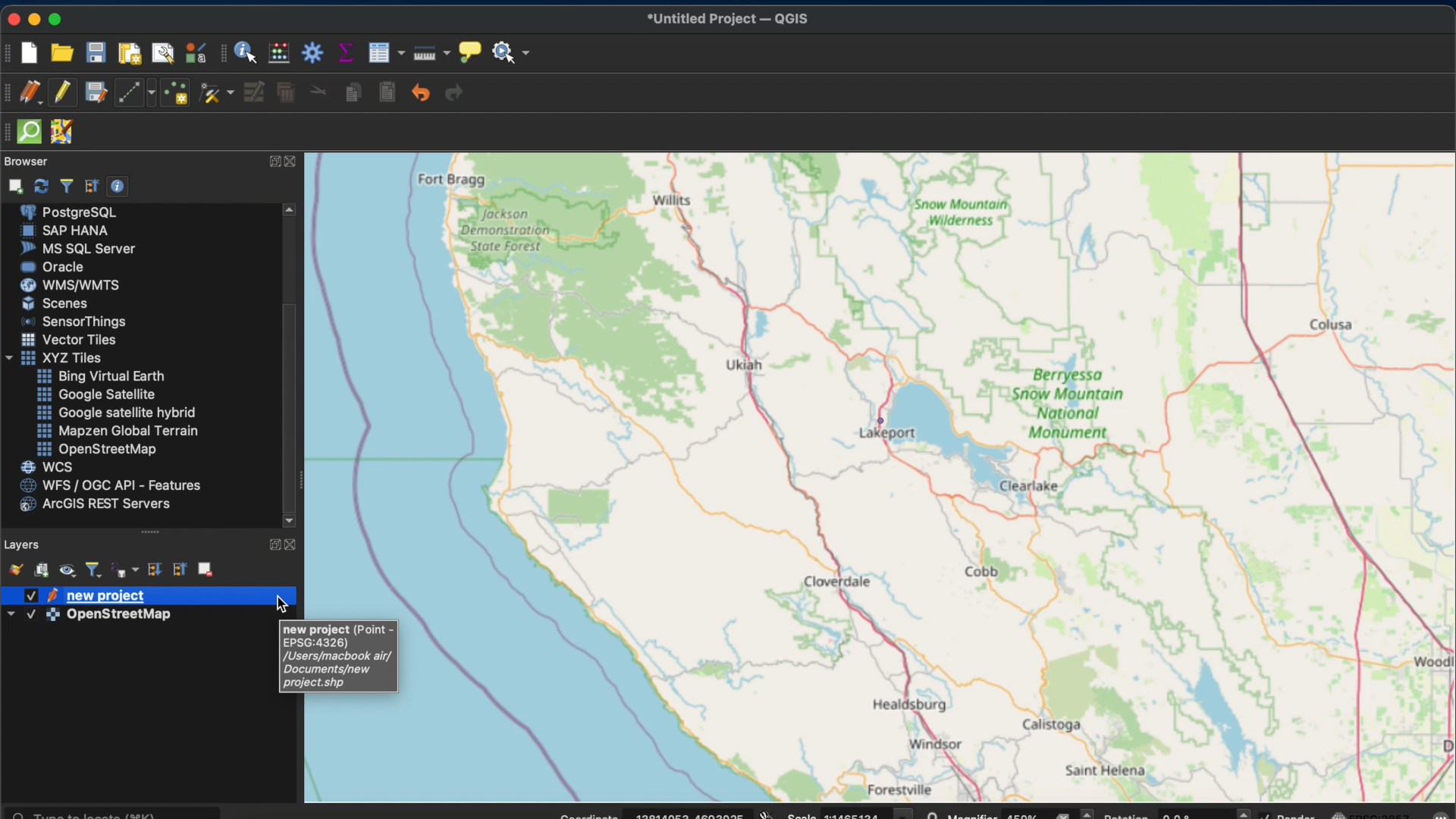 The image size is (1456, 819). What do you see at coordinates (9, 52) in the screenshot?
I see `project toolbar` at bounding box center [9, 52].